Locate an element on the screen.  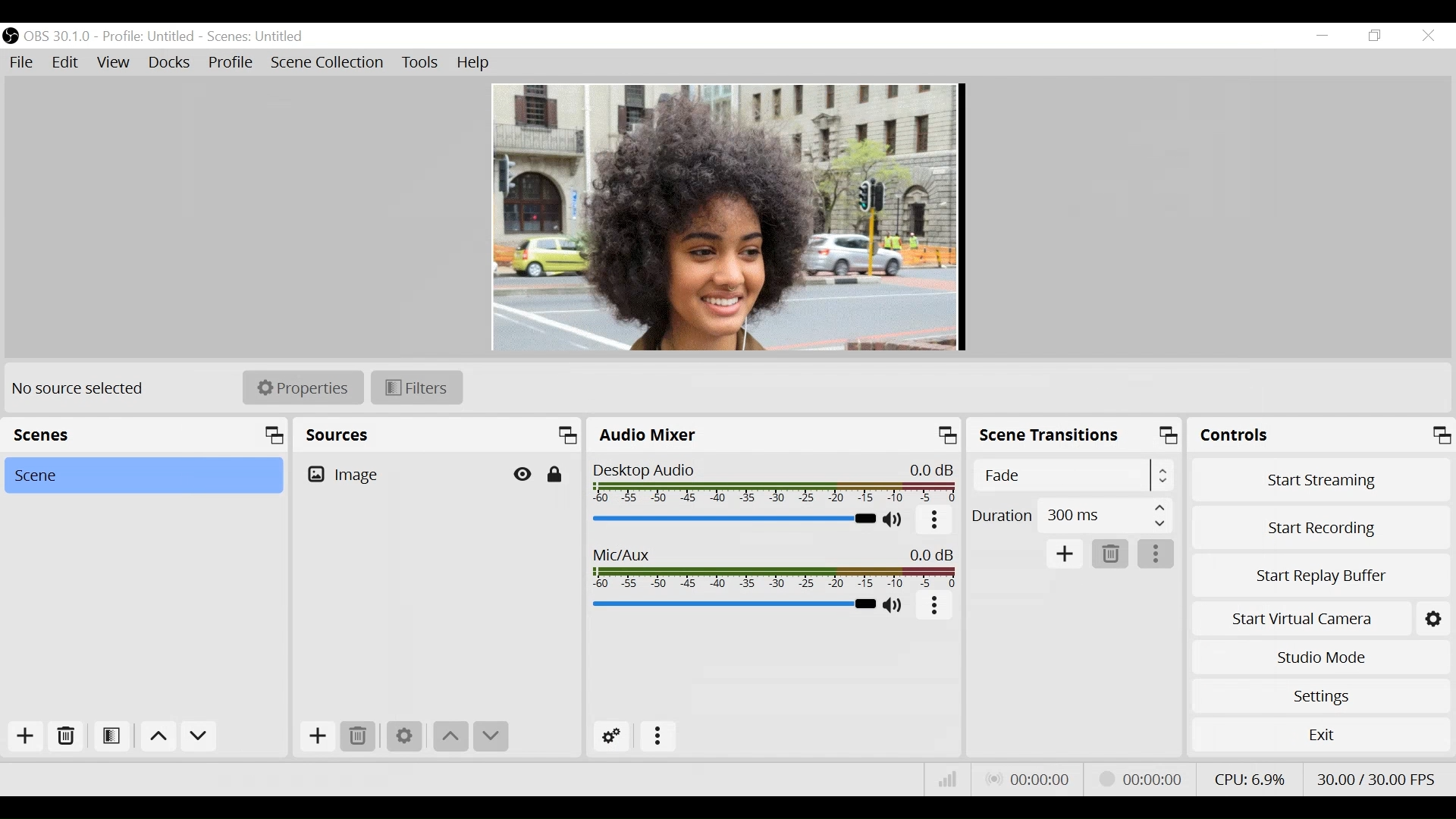
Move up is located at coordinates (158, 737).